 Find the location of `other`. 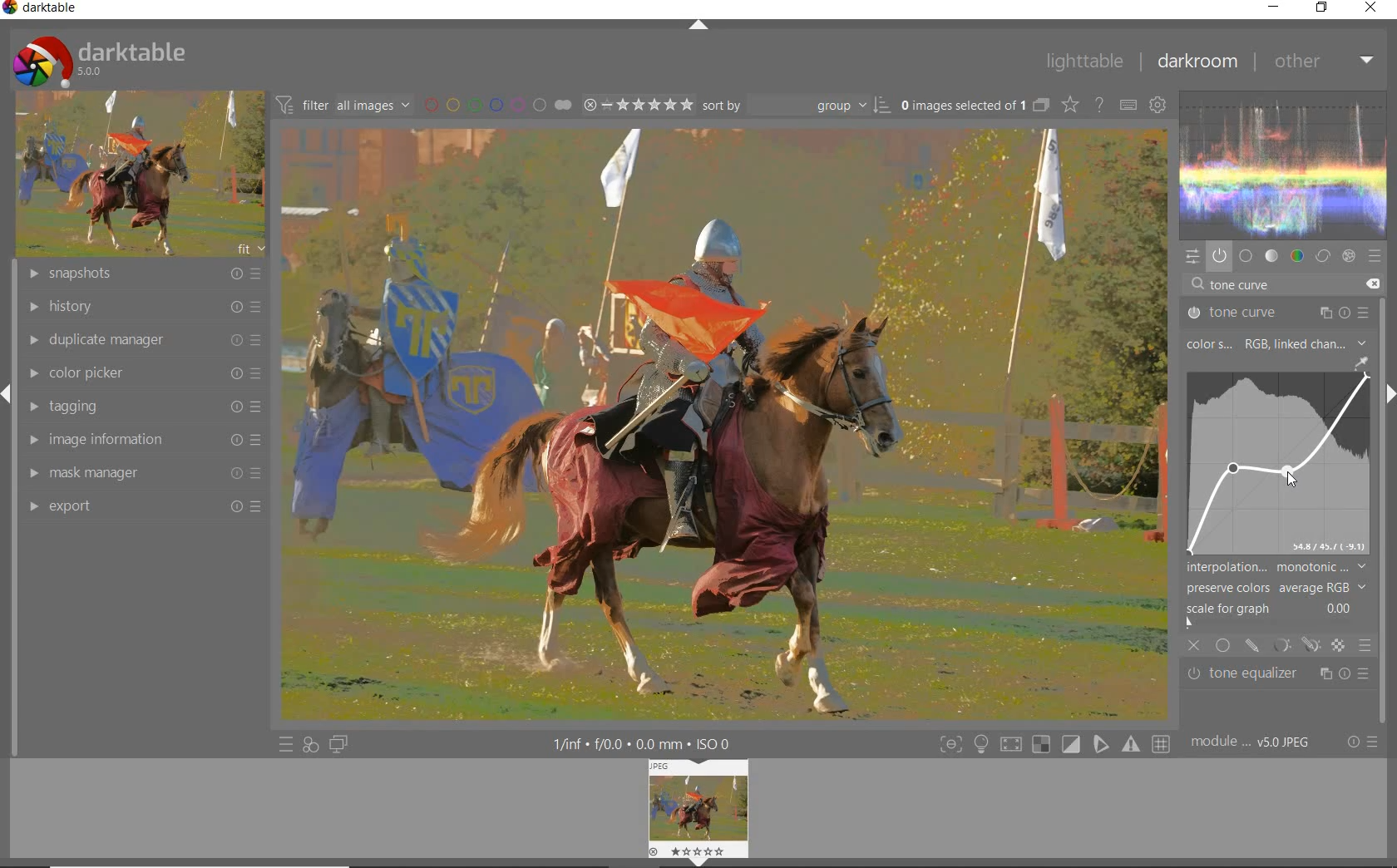

other is located at coordinates (1323, 61).